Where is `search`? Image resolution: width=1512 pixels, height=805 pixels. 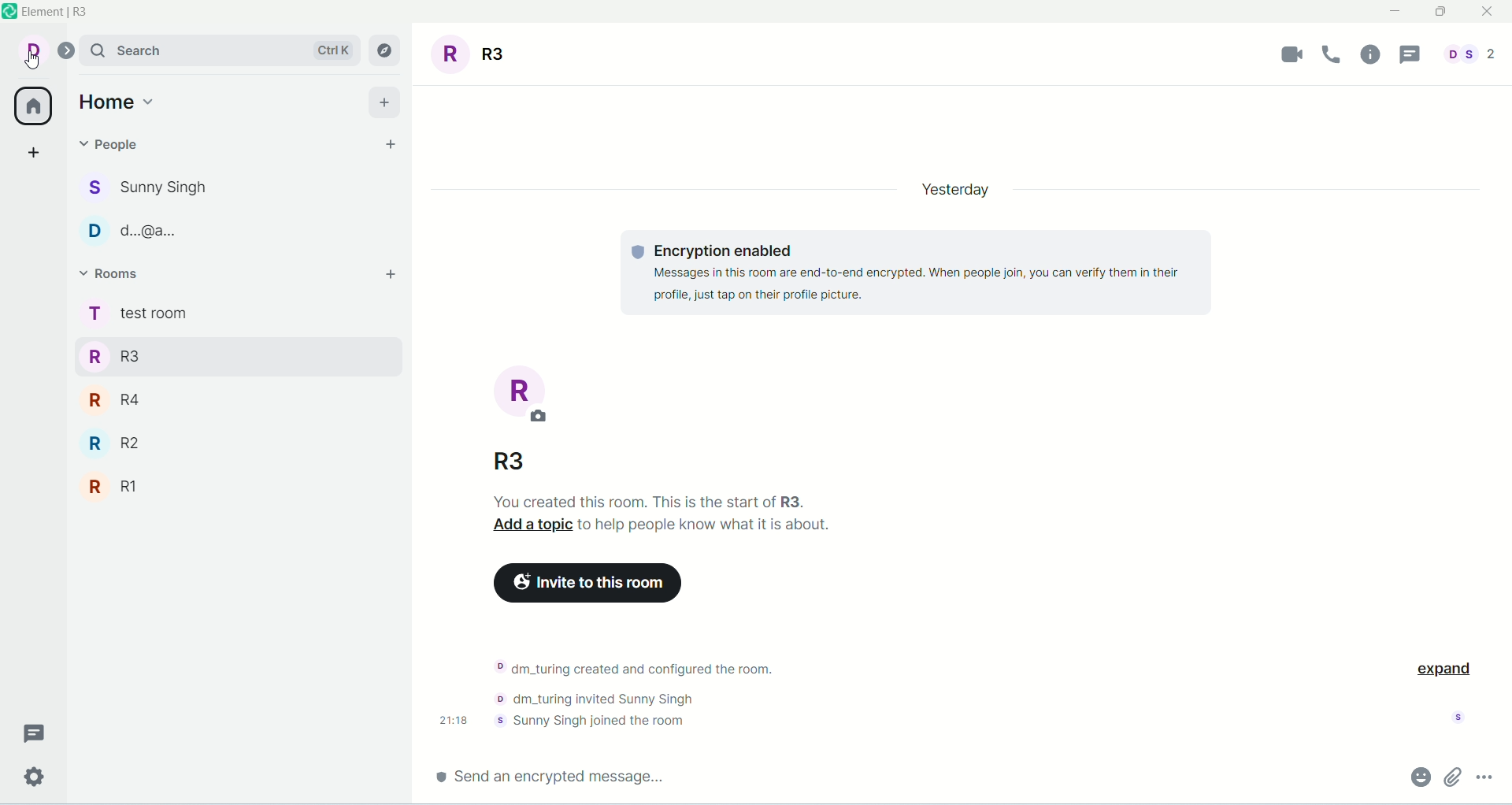
search is located at coordinates (221, 50).